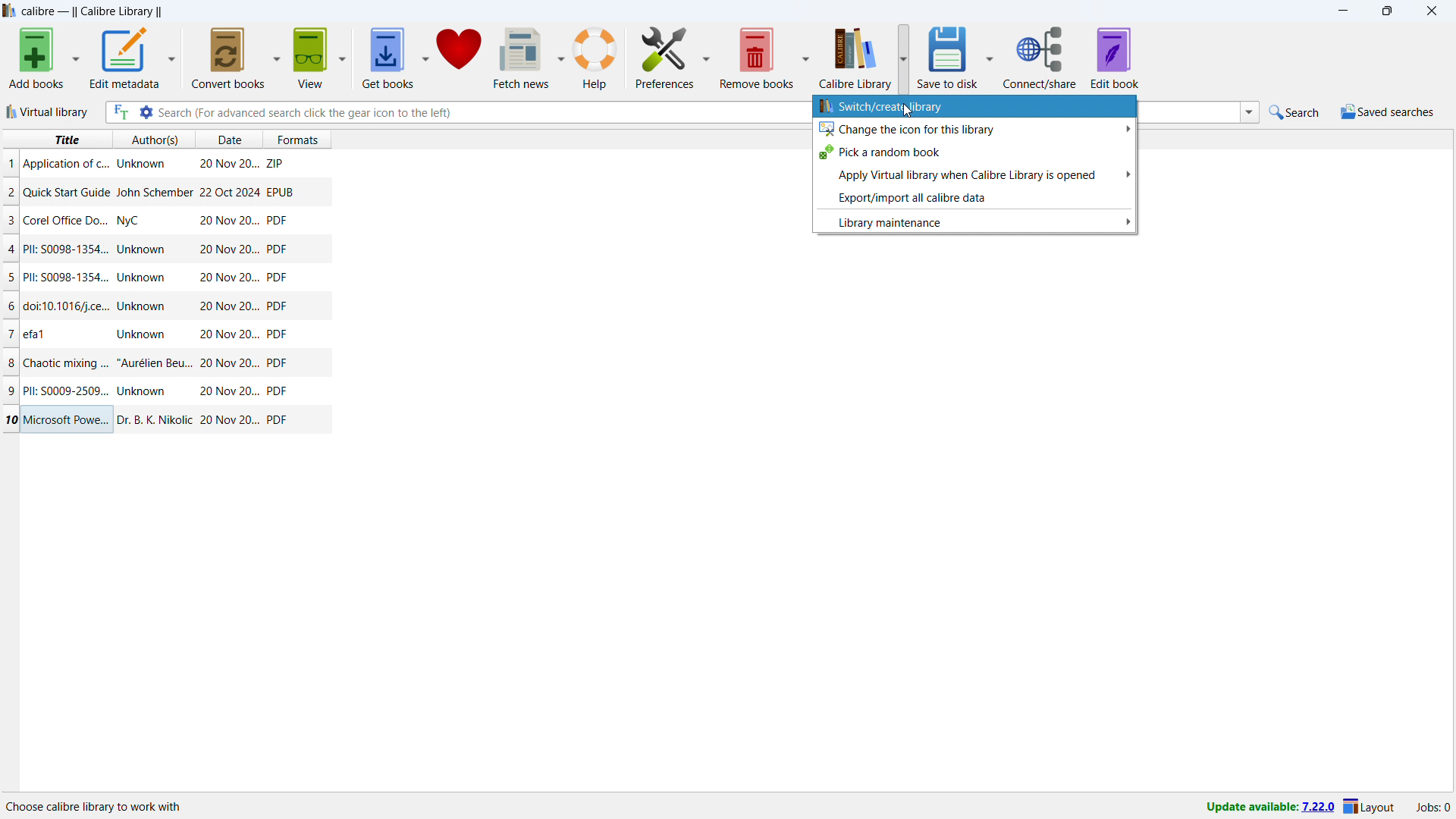  Describe the element at coordinates (230, 421) in the screenshot. I see `Date` at that location.